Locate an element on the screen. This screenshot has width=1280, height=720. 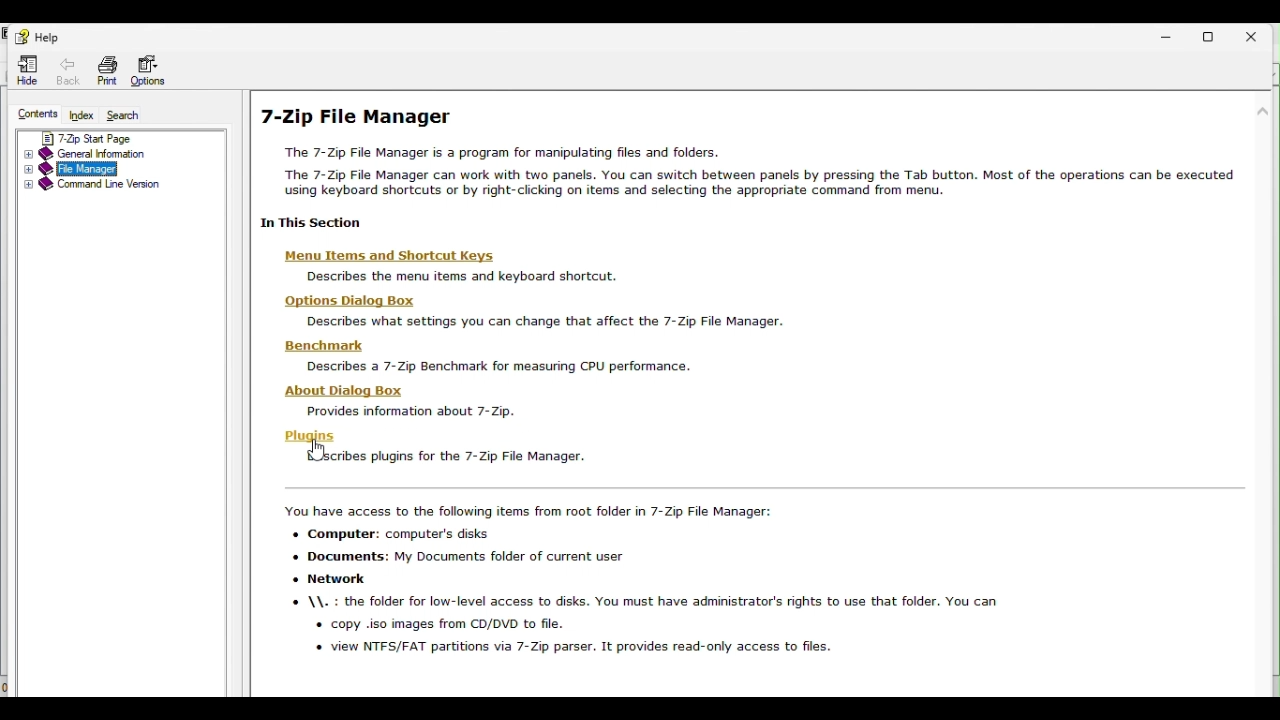
options is located at coordinates (351, 301).